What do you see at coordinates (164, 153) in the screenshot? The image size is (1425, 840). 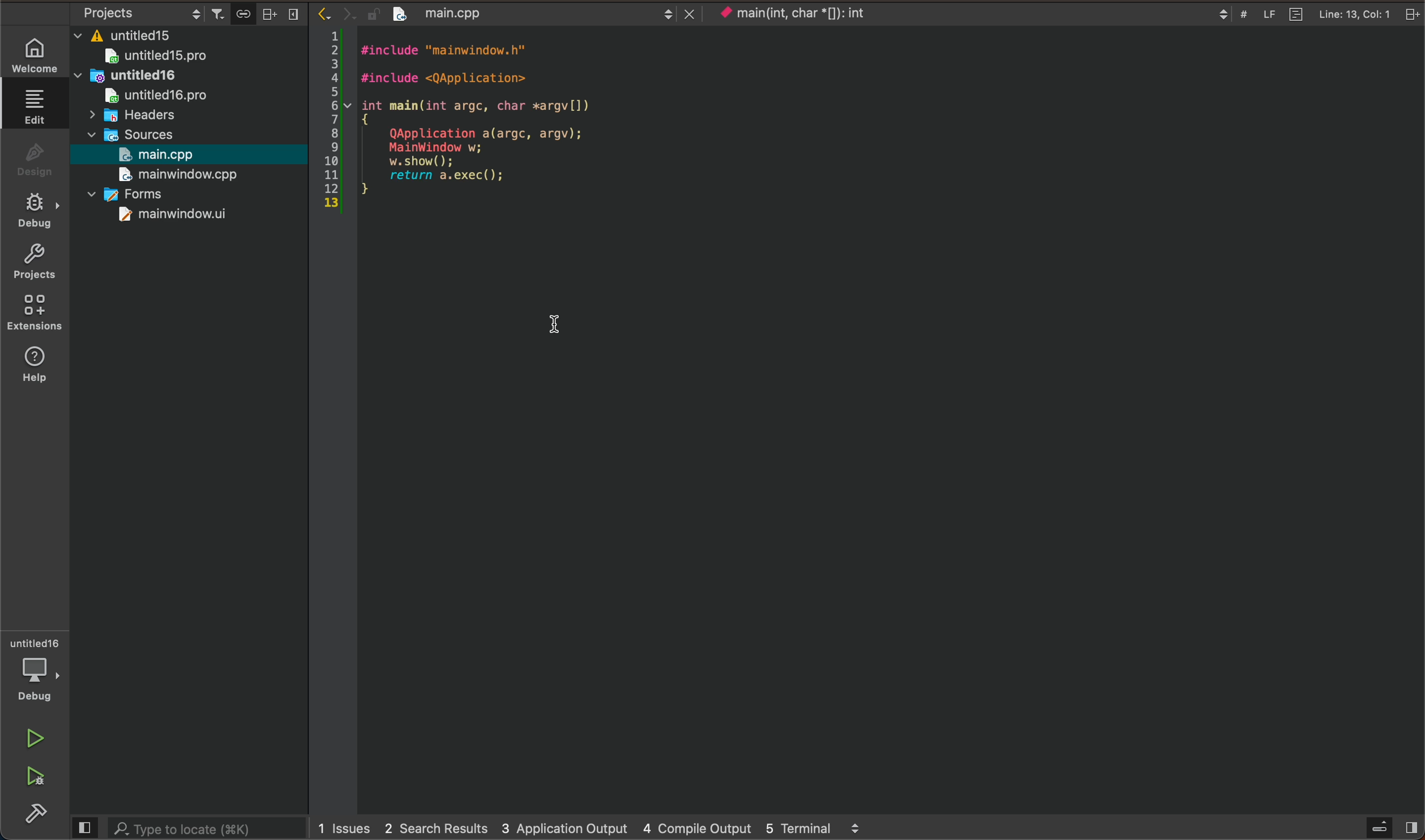 I see `main.cpp` at bounding box center [164, 153].